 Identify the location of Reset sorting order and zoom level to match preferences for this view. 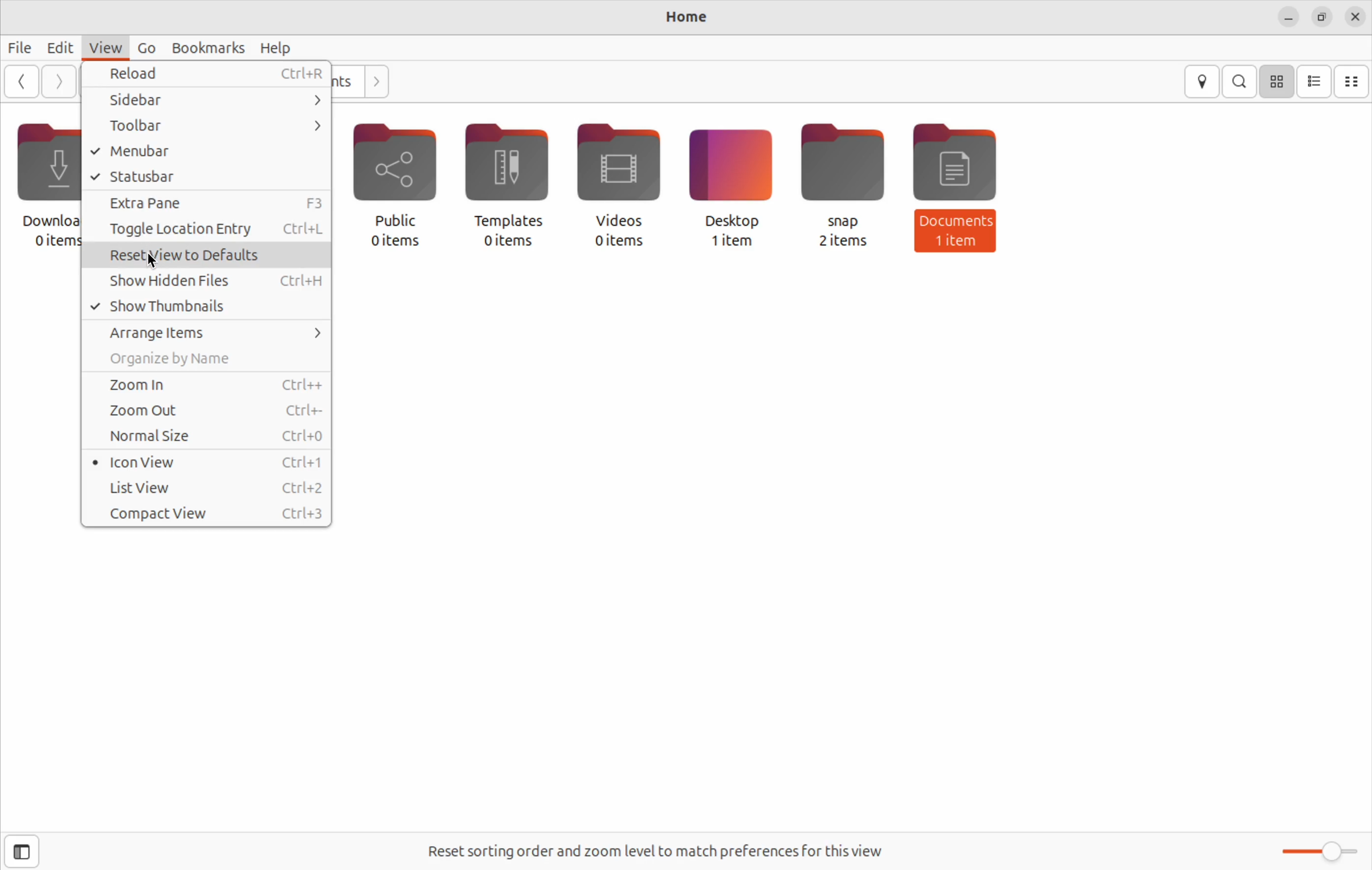
(671, 848).